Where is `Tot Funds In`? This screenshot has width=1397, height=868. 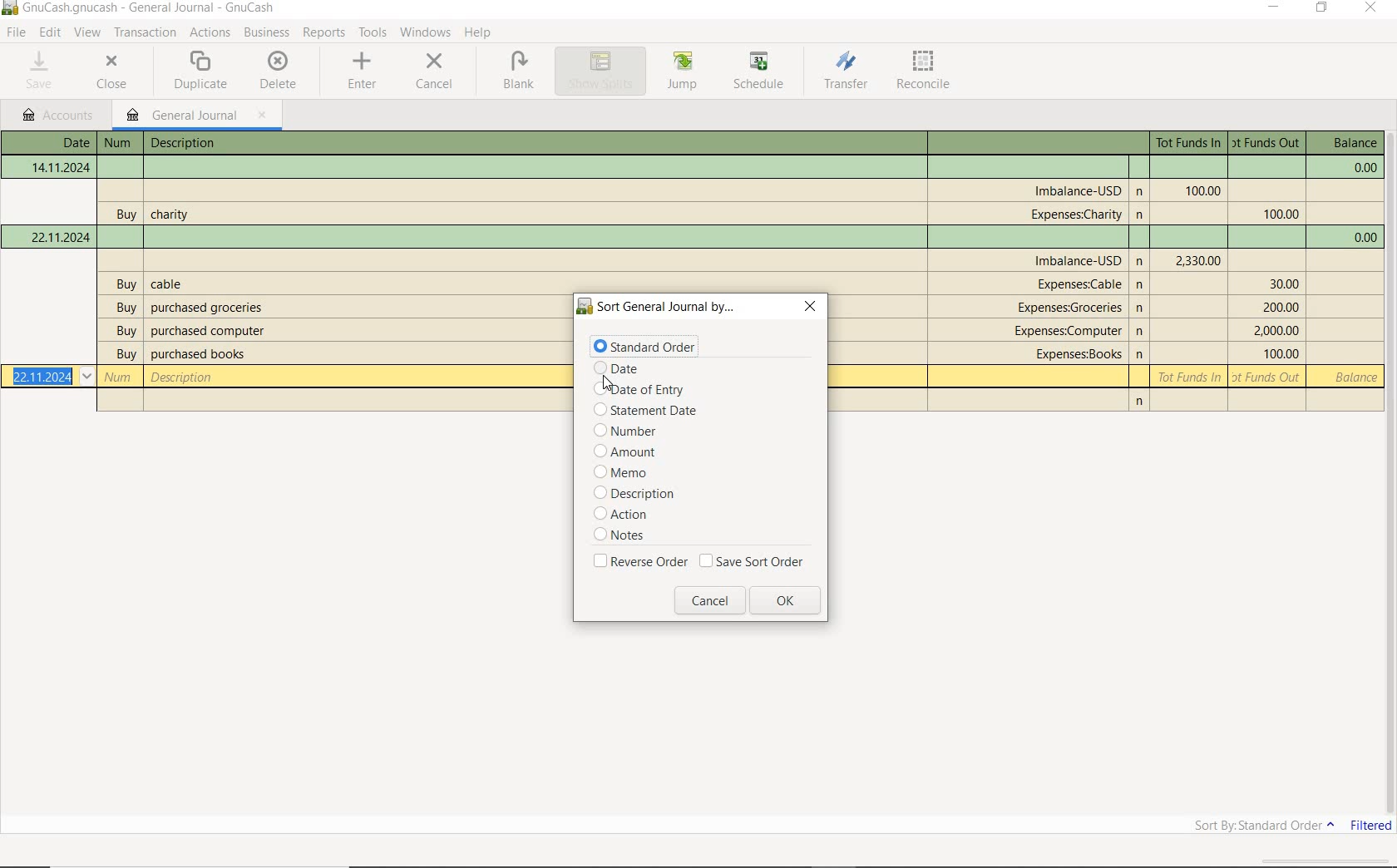 Tot Funds In is located at coordinates (1191, 377).